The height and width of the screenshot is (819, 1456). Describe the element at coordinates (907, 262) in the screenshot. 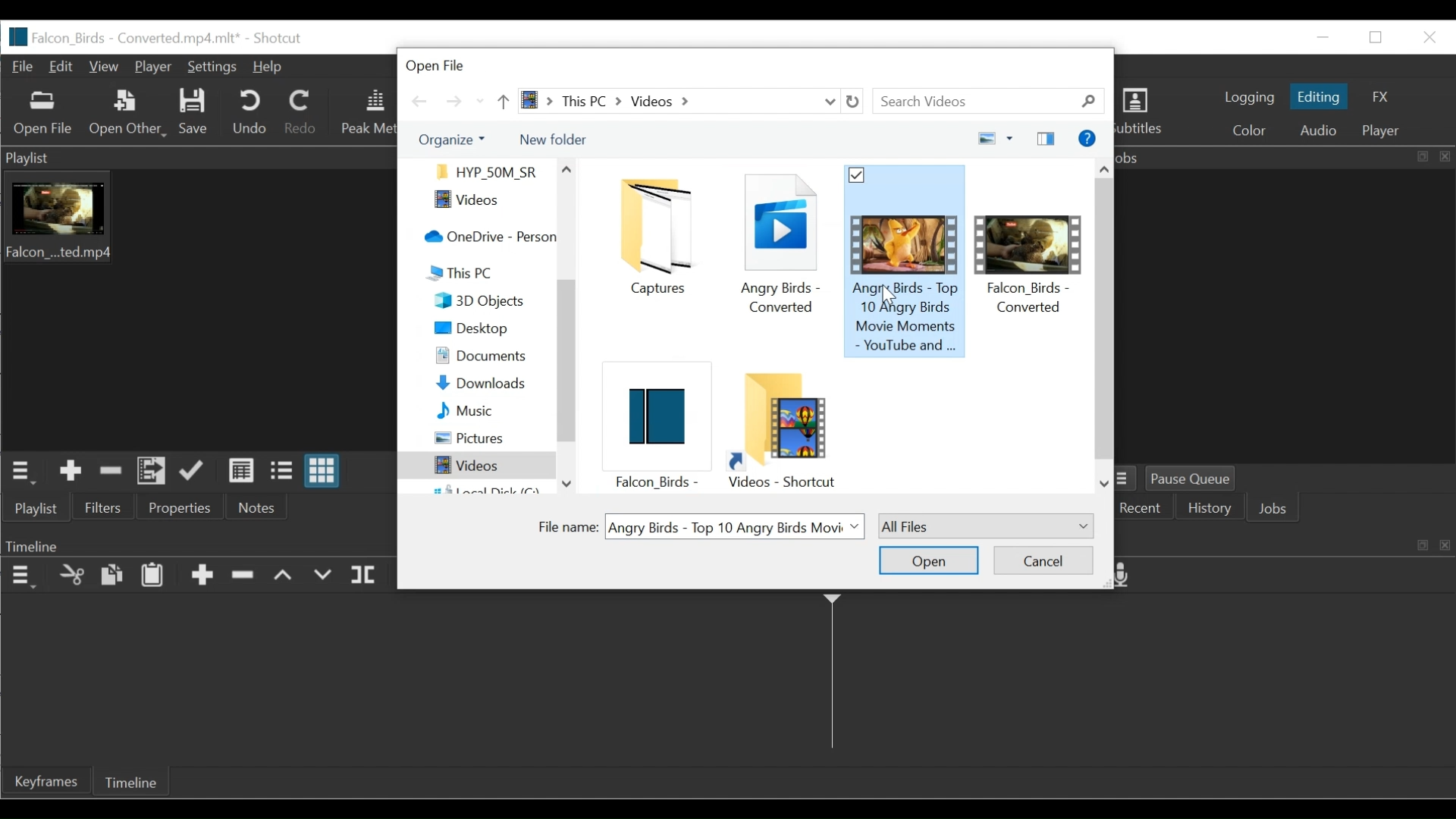

I see `angry birds -top 10 angrybirds movie movements - youtube and _` at that location.